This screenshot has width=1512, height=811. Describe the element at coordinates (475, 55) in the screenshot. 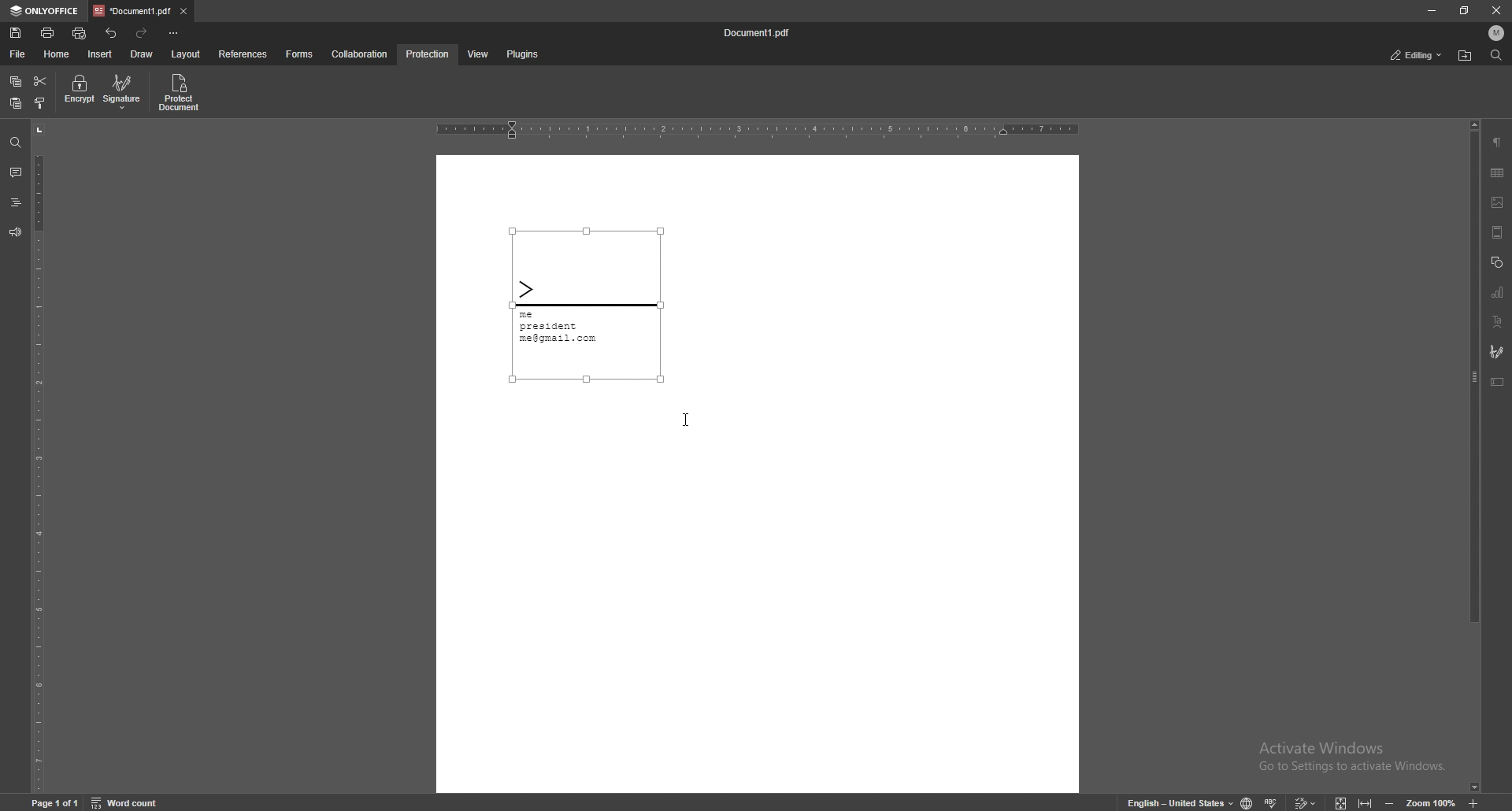

I see `view` at that location.